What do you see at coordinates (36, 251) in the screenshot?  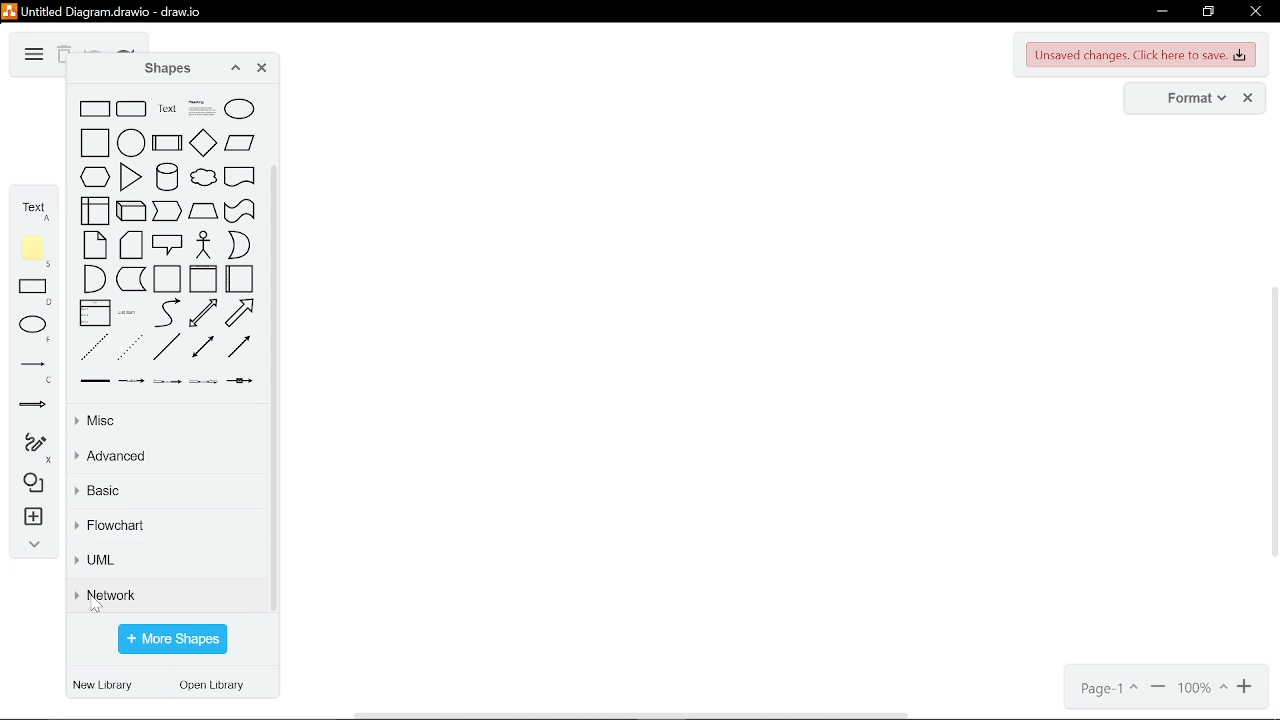 I see `note` at bounding box center [36, 251].